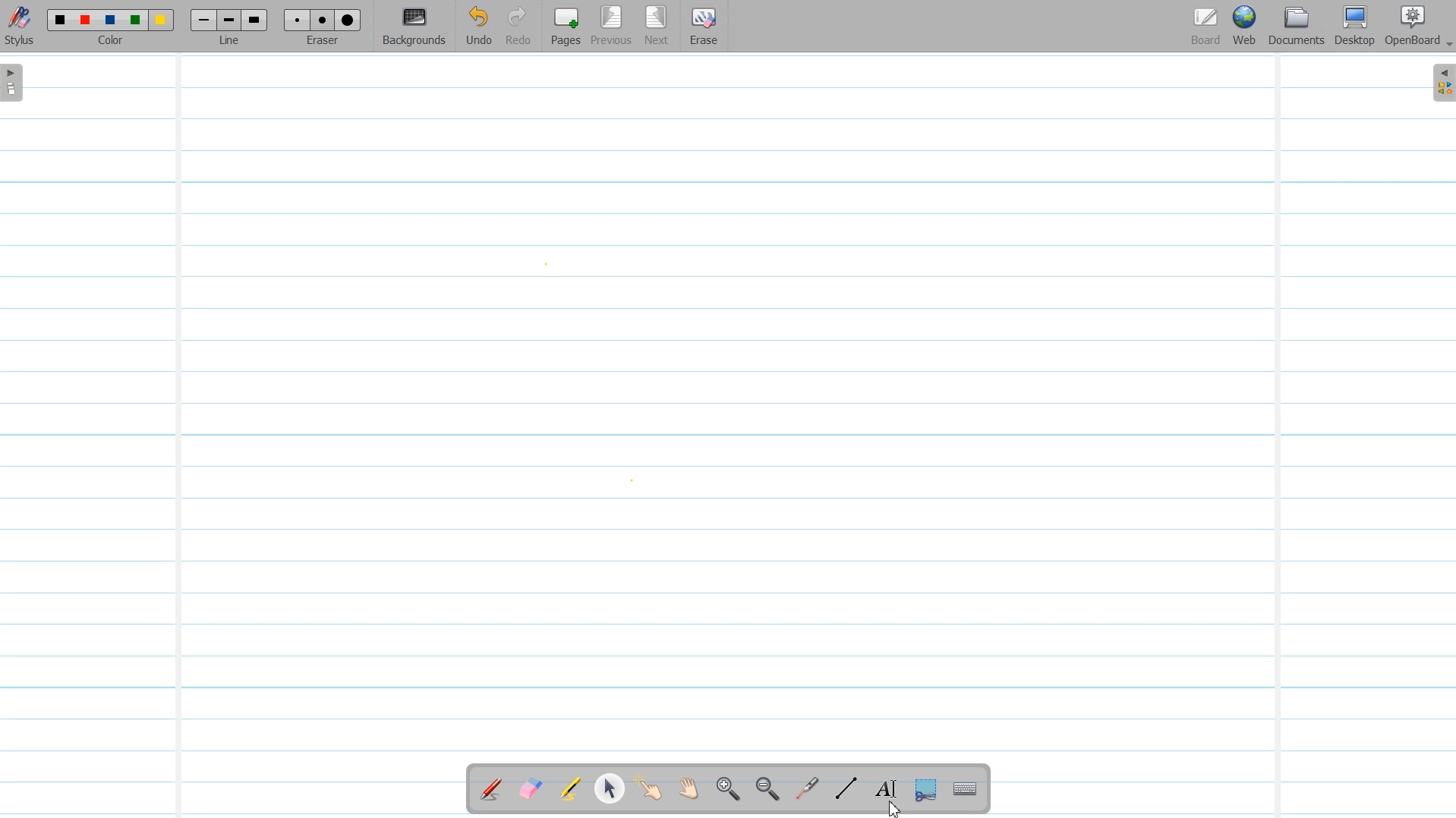  What do you see at coordinates (613, 27) in the screenshot?
I see `Previous` at bounding box center [613, 27].